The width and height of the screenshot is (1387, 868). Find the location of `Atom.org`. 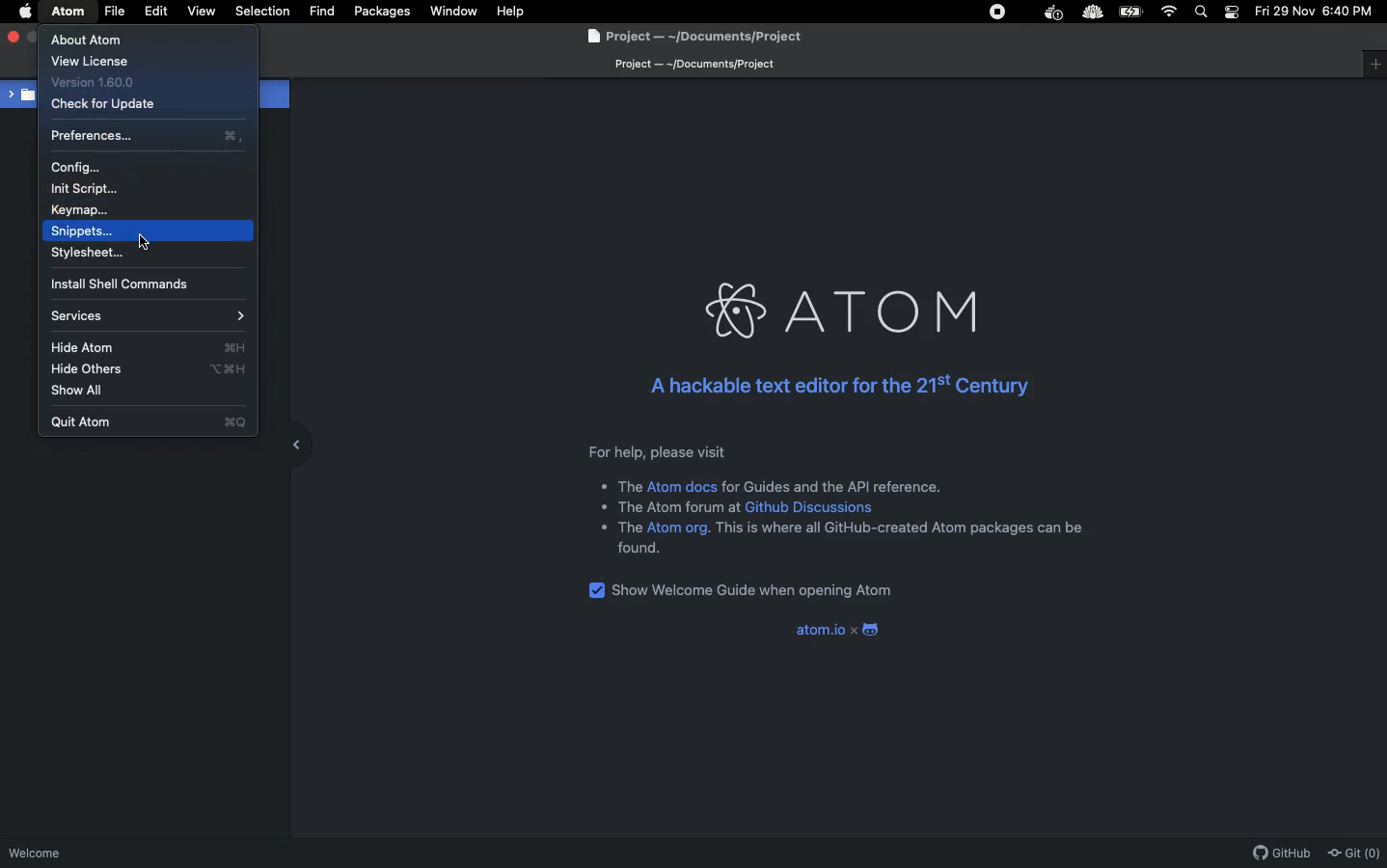

Atom.org is located at coordinates (679, 529).